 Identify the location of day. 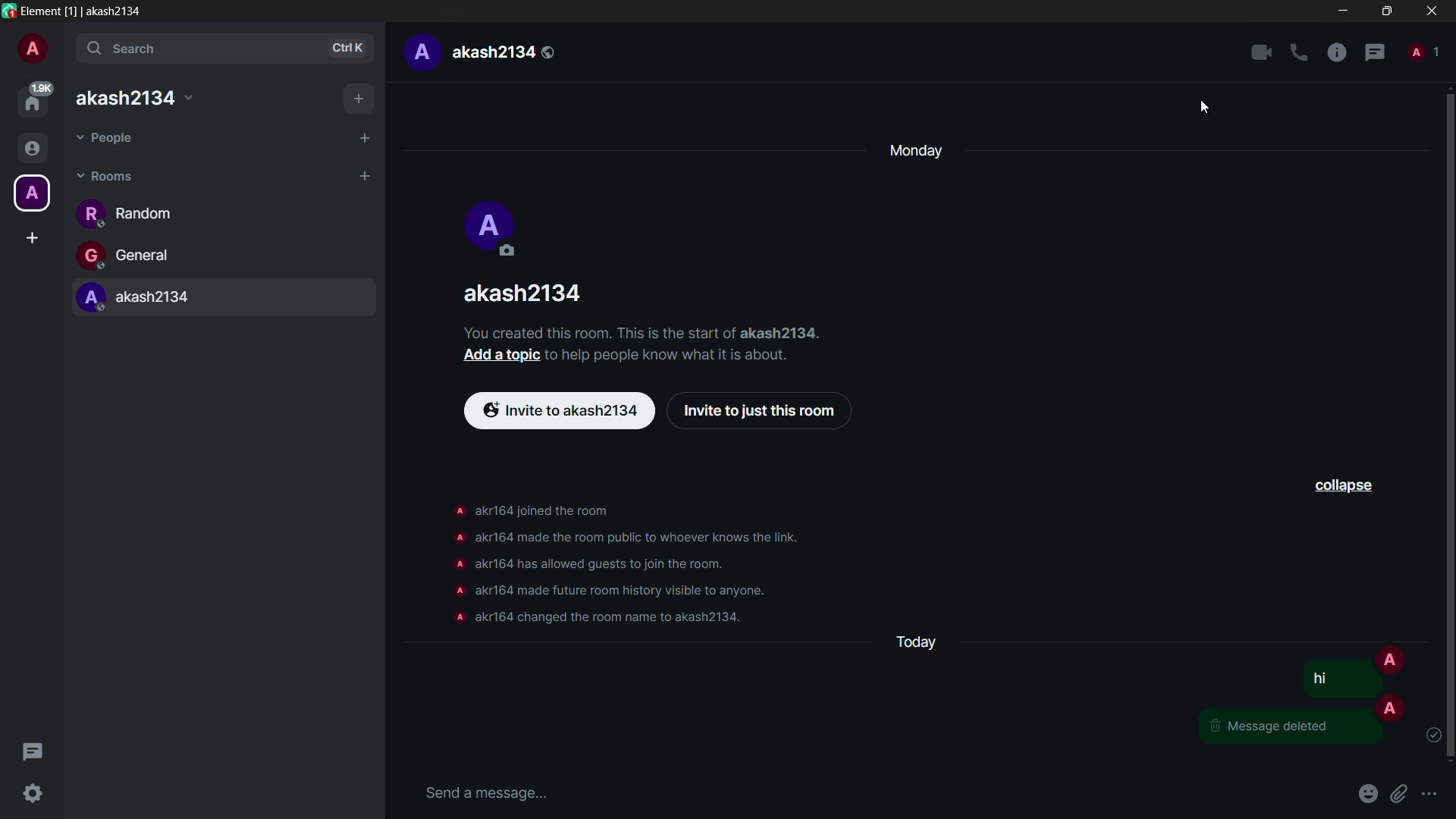
(915, 643).